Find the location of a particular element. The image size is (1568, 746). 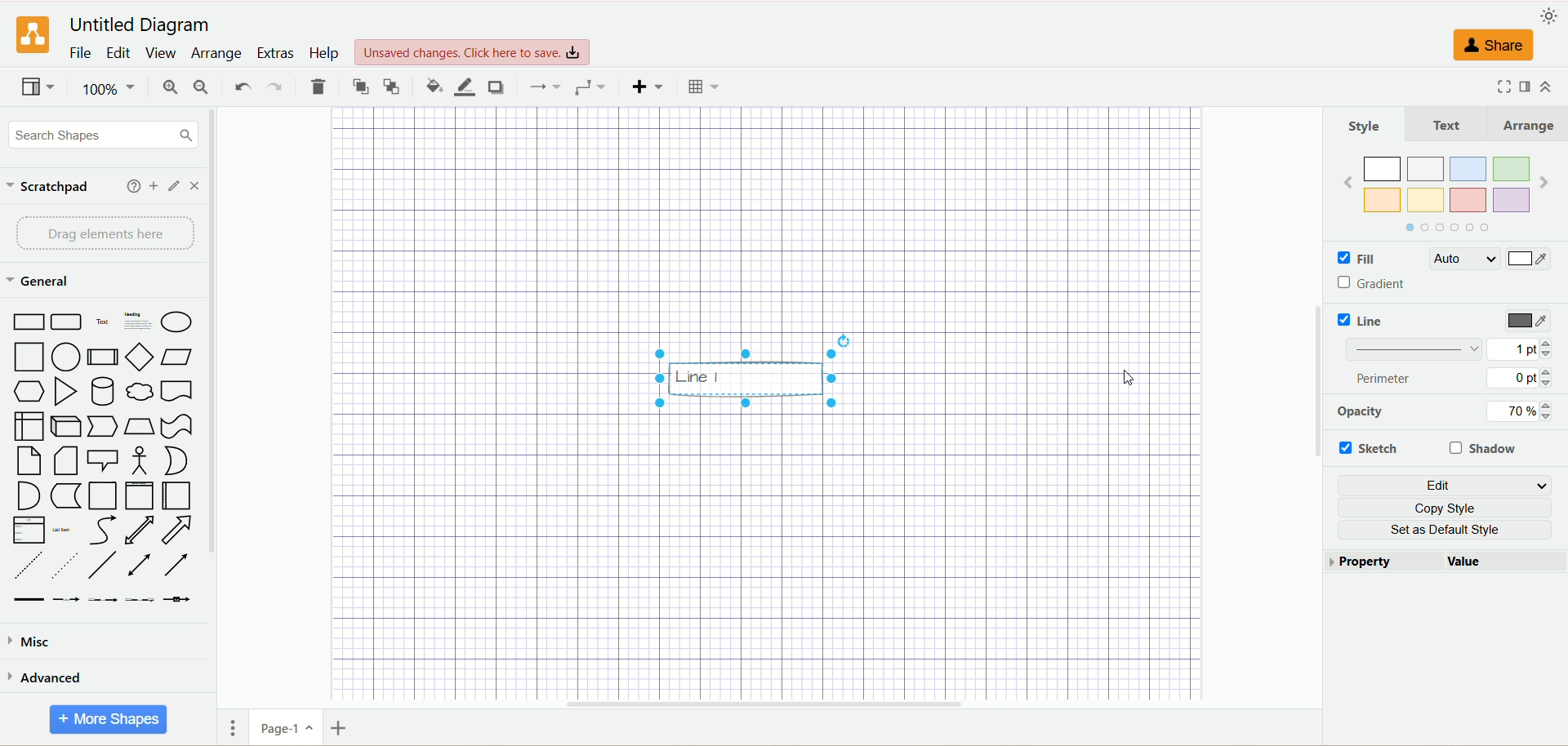

Ellipse is located at coordinates (175, 319).